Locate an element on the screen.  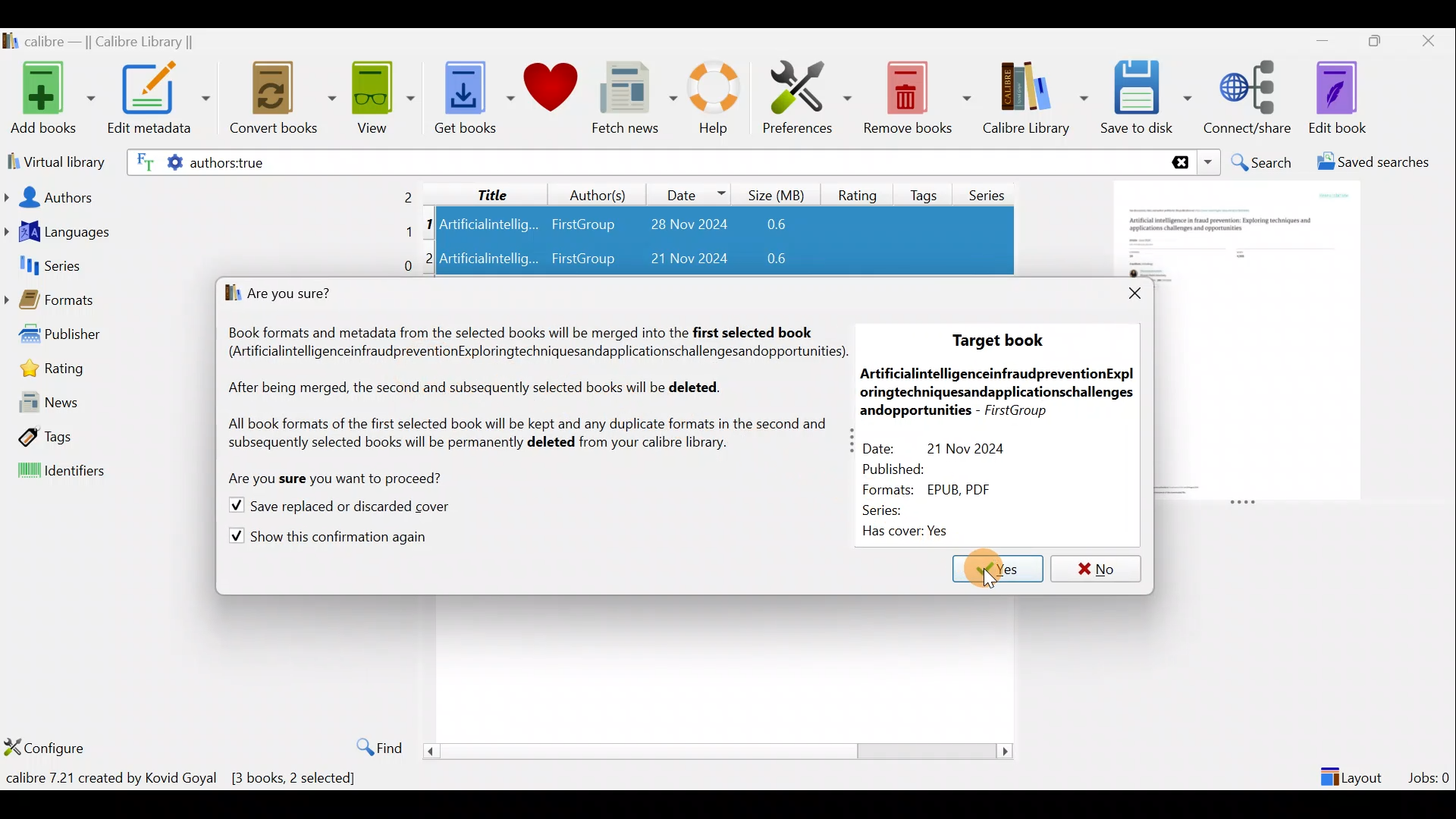
Edit metadata is located at coordinates (158, 101).